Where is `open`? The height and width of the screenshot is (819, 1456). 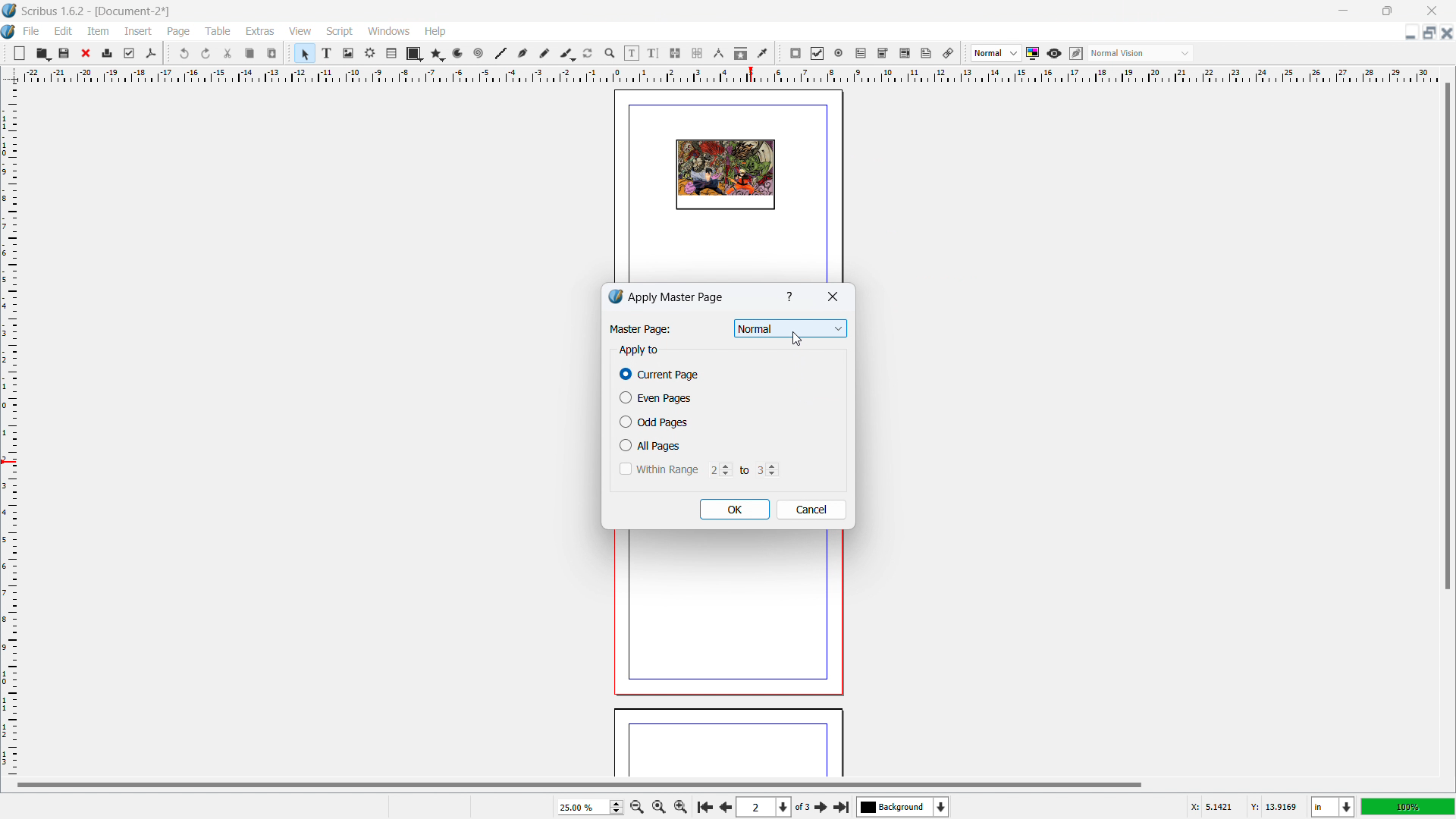
open is located at coordinates (42, 53).